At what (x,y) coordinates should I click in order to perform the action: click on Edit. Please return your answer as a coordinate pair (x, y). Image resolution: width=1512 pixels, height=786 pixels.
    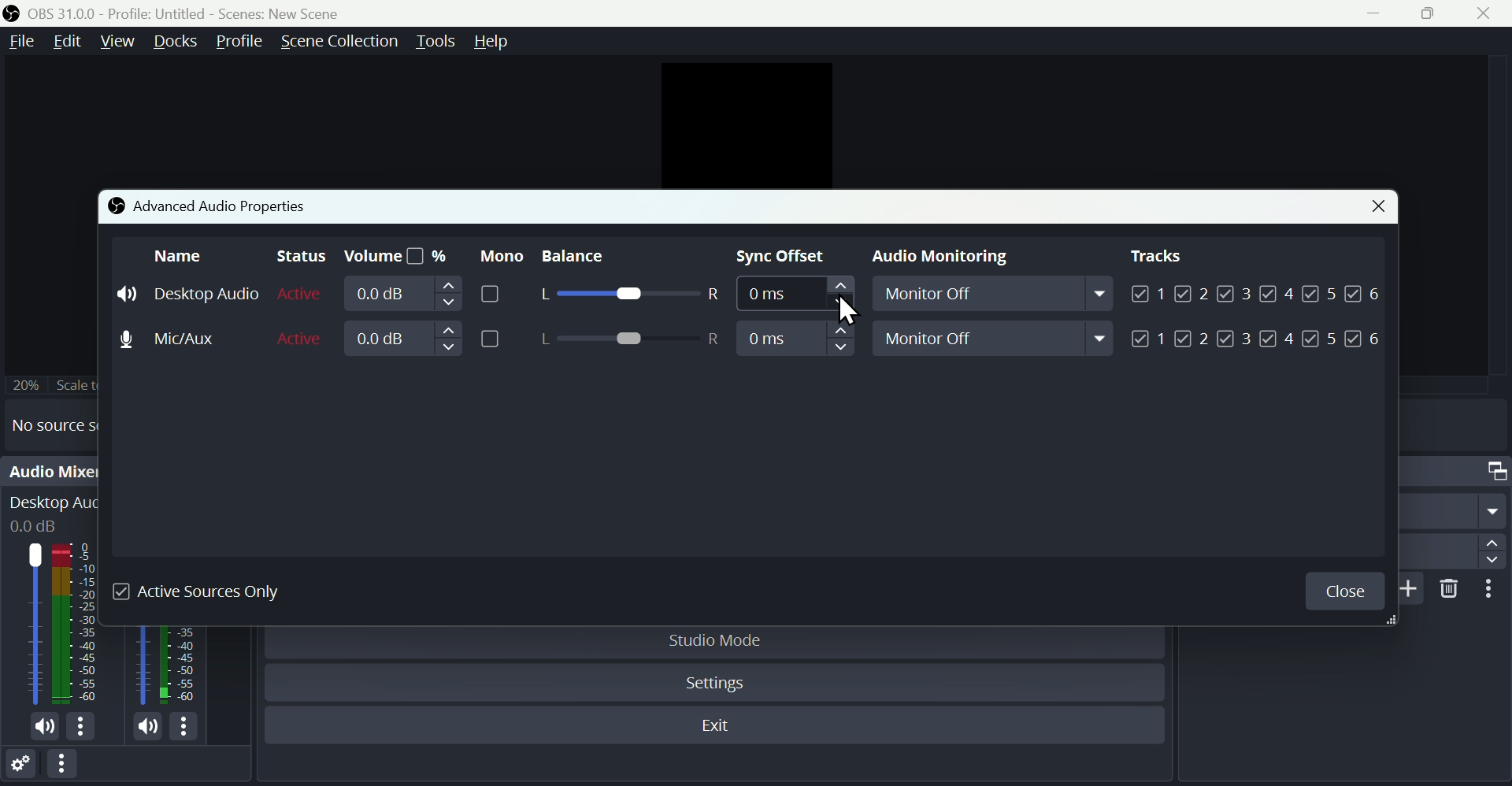
    Looking at the image, I should click on (66, 41).